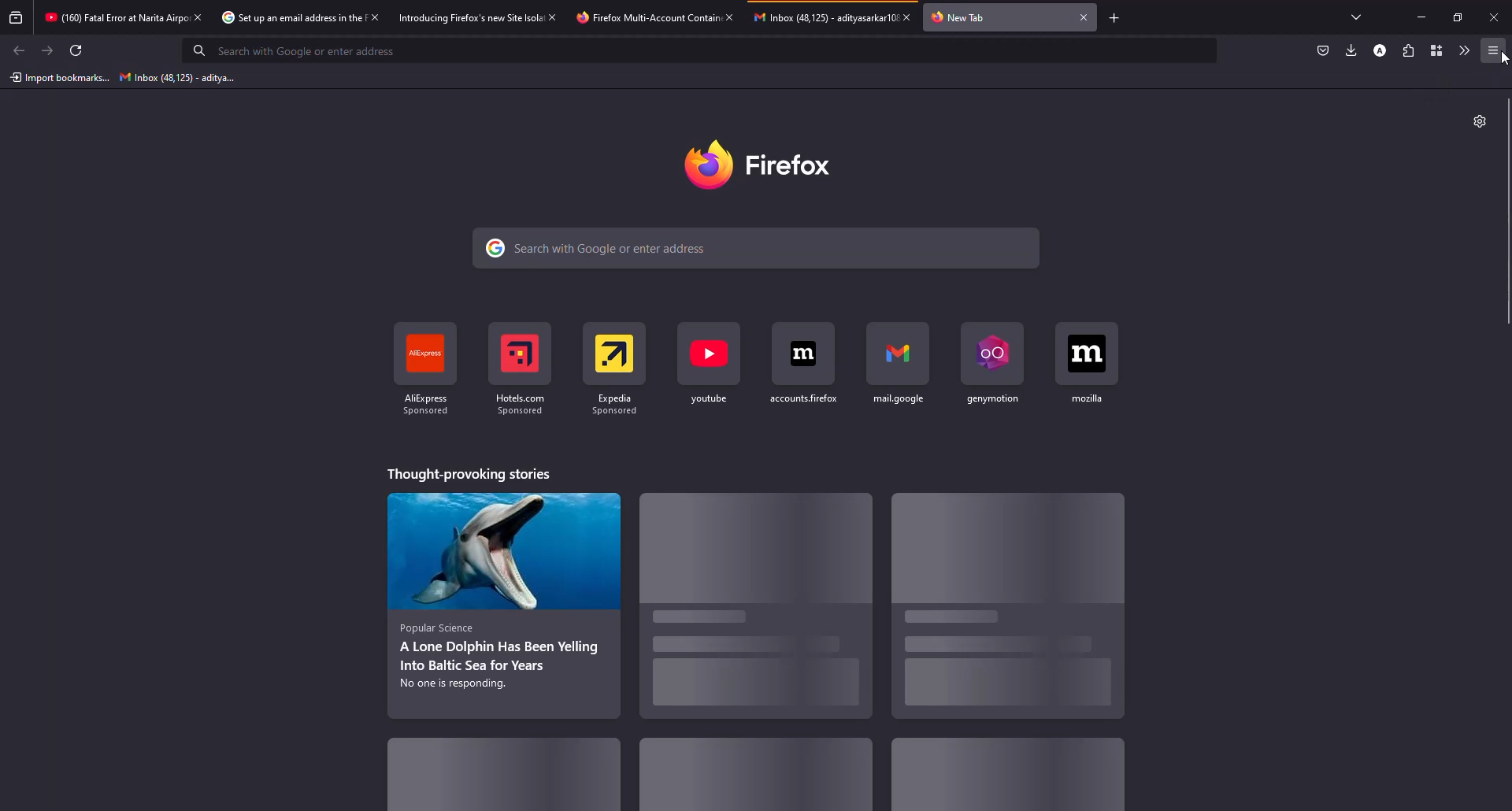  I want to click on shortcut, so click(995, 365).